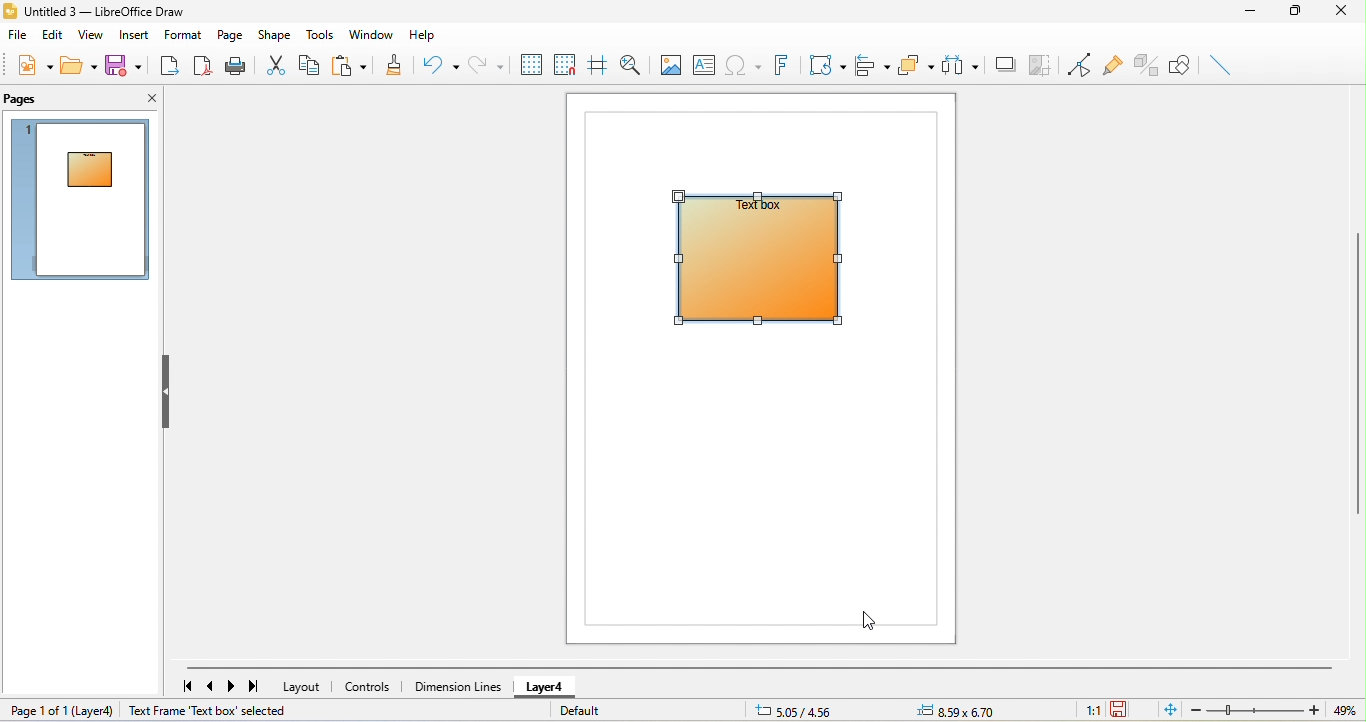 The image size is (1366, 722). Describe the element at coordinates (368, 688) in the screenshot. I see `controls` at that location.